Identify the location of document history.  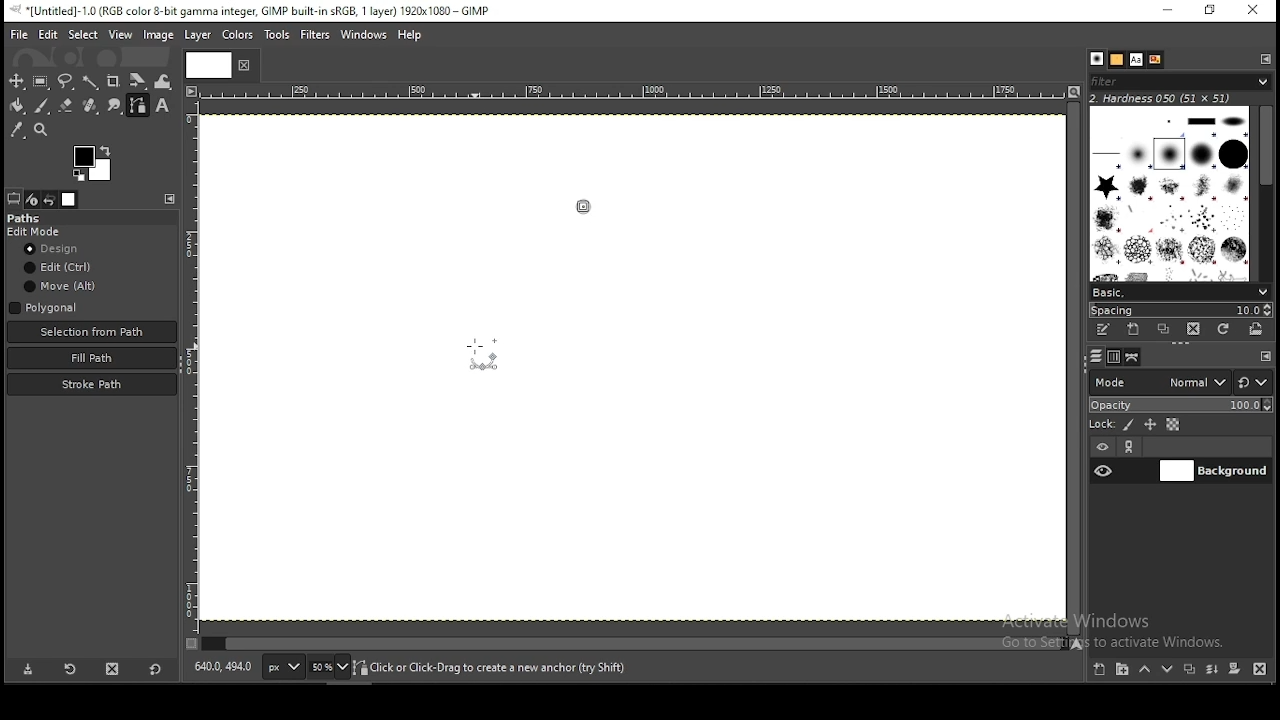
(1154, 59).